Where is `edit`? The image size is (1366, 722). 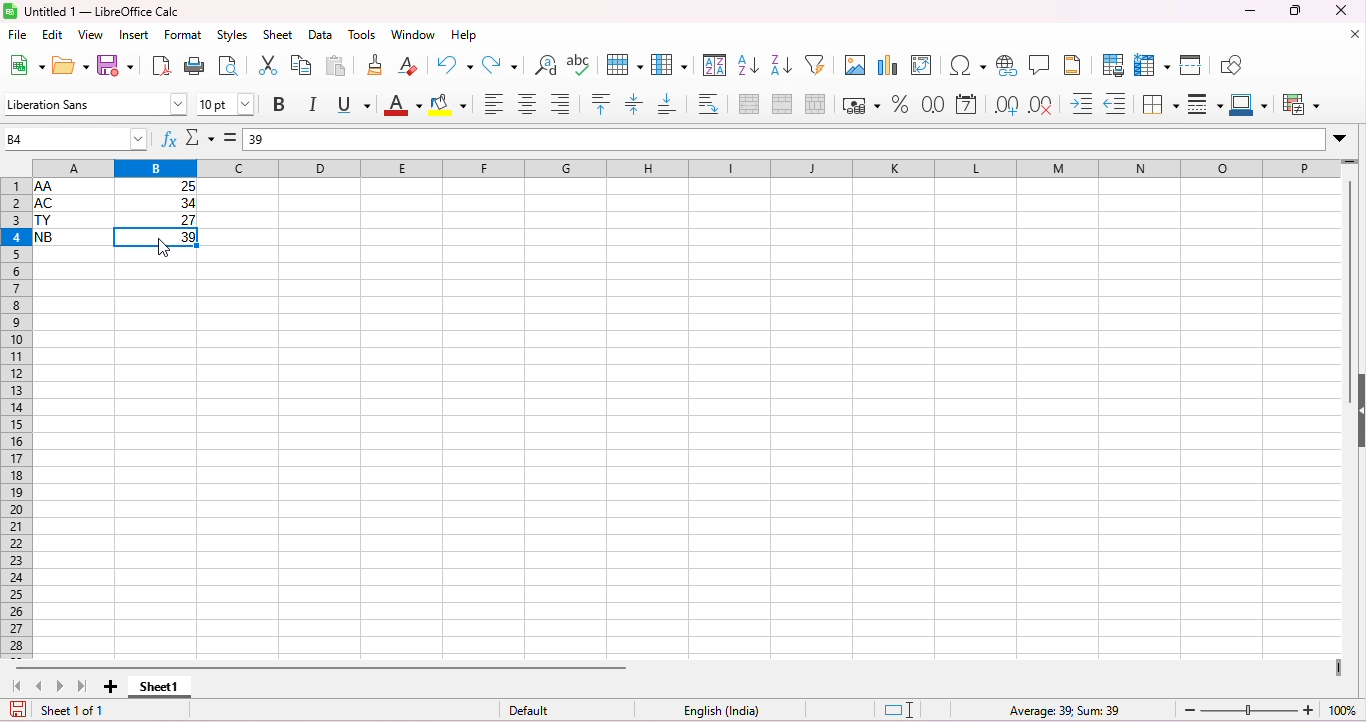
edit is located at coordinates (54, 36).